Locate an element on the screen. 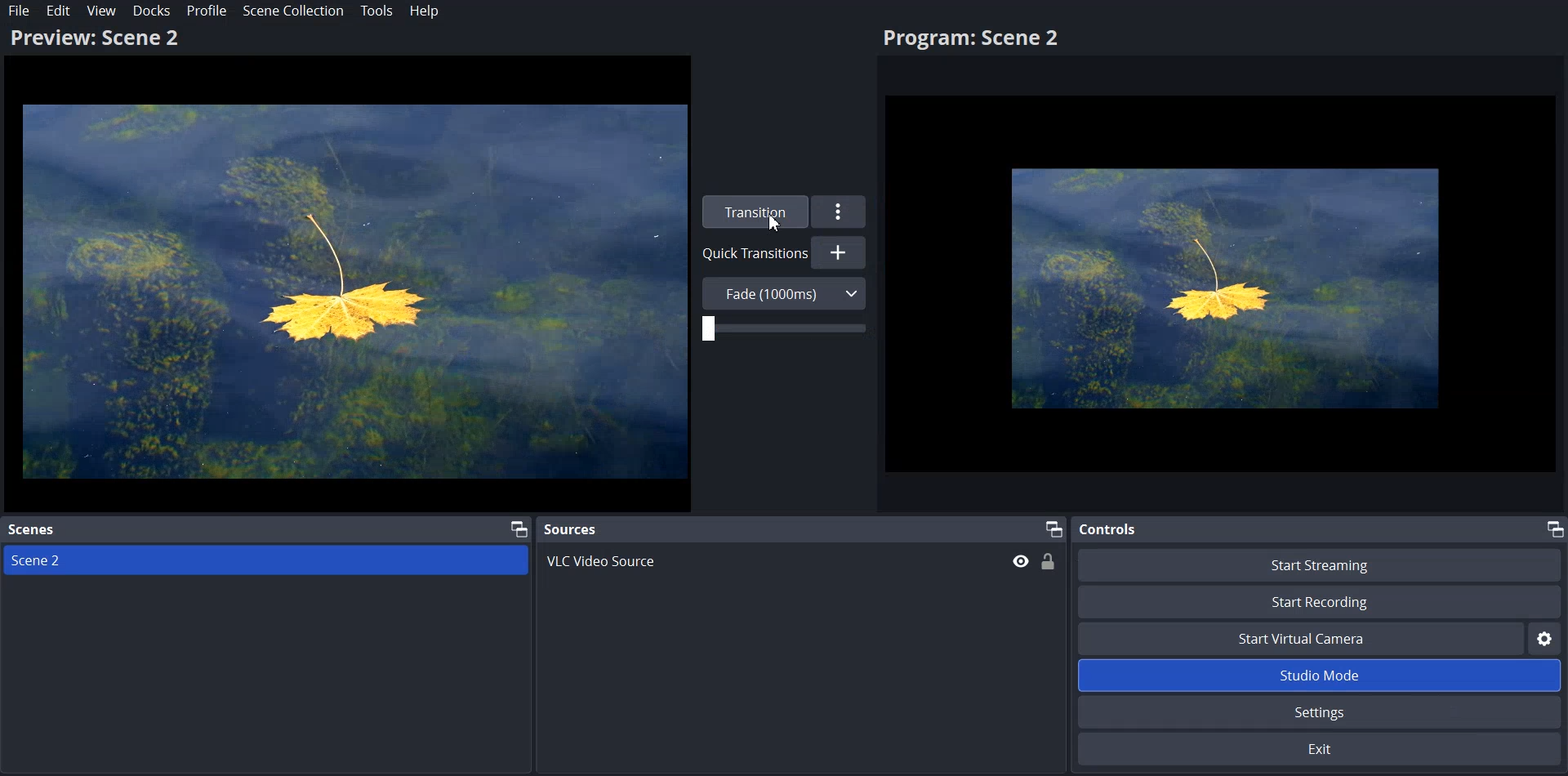 This screenshot has height=776, width=1568. Flower Image is located at coordinates (348, 292).